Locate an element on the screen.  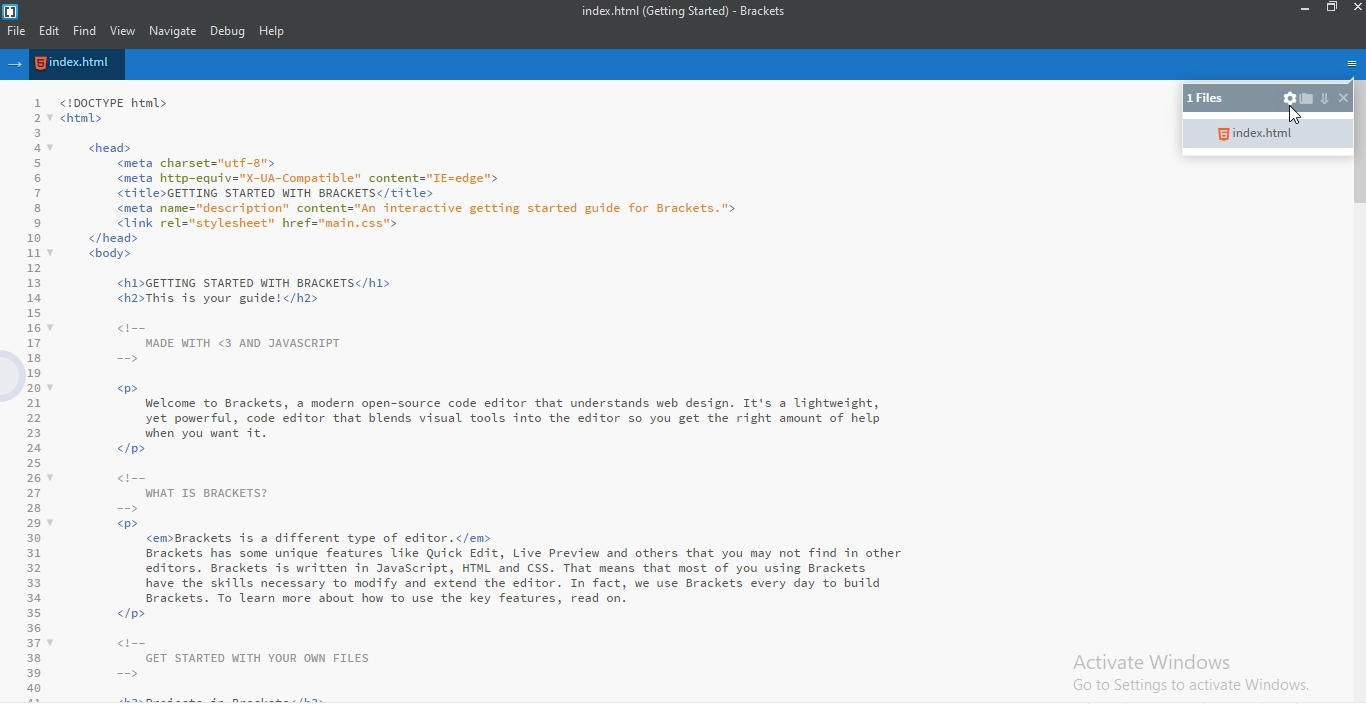
edit is located at coordinates (48, 31).